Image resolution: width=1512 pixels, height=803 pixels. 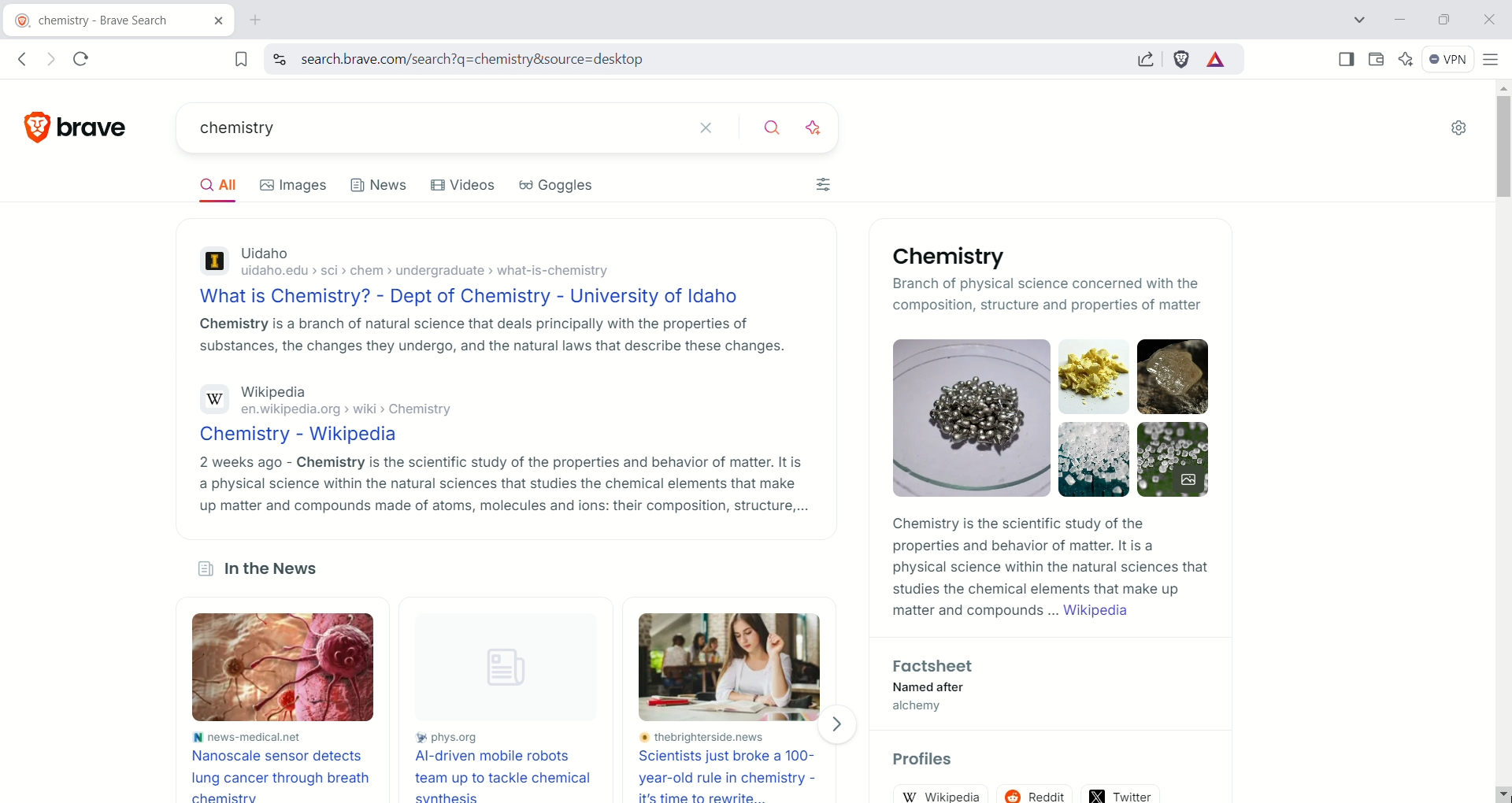 I want to click on thebrighterside.news scientists just broke a 100-year-old rule in chemistry - it's time to rewrite, so click(x=734, y=767).